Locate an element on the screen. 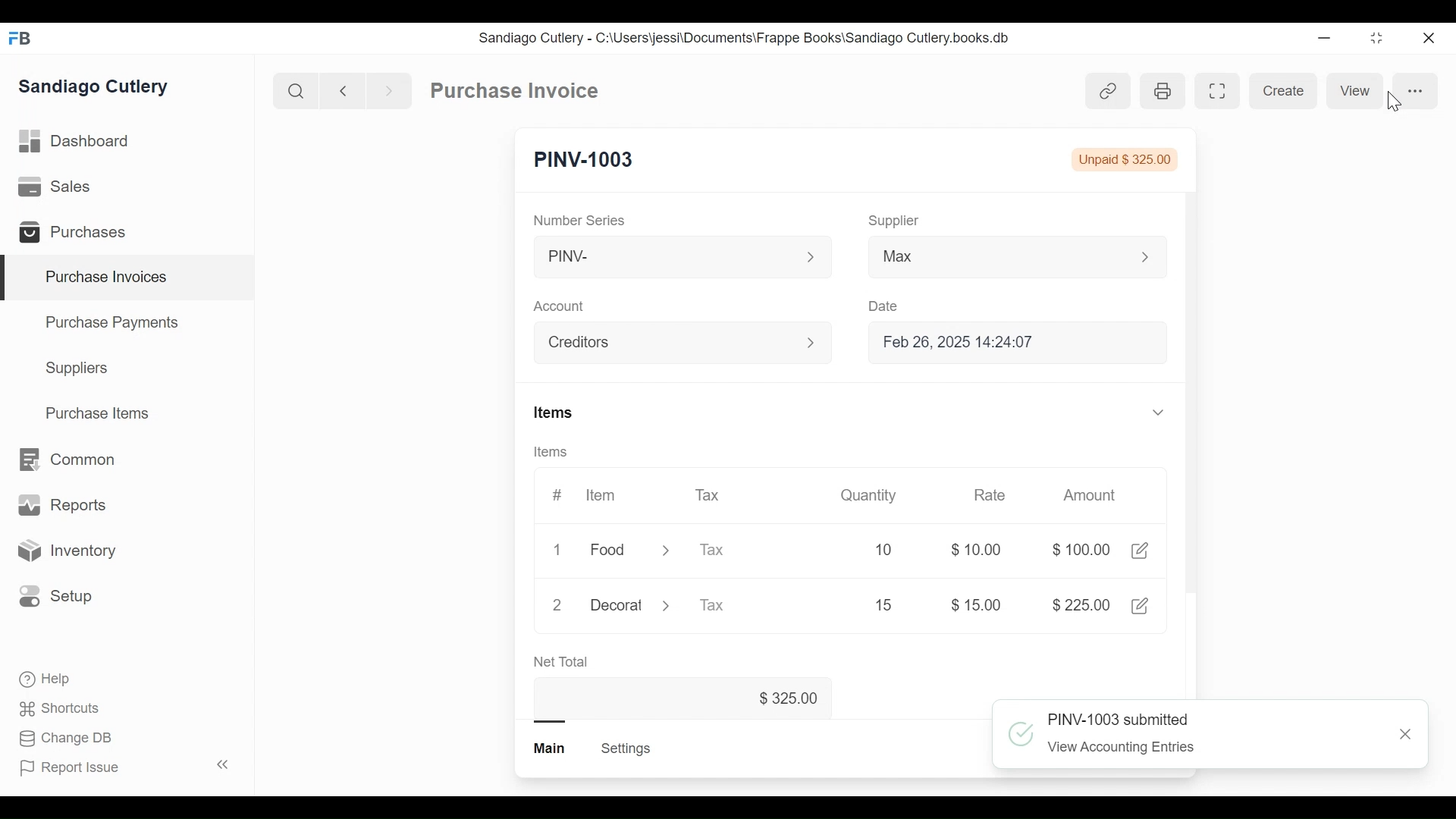  — PINV-1003 submitted
~~ View Accounting Entries is located at coordinates (1190, 736).